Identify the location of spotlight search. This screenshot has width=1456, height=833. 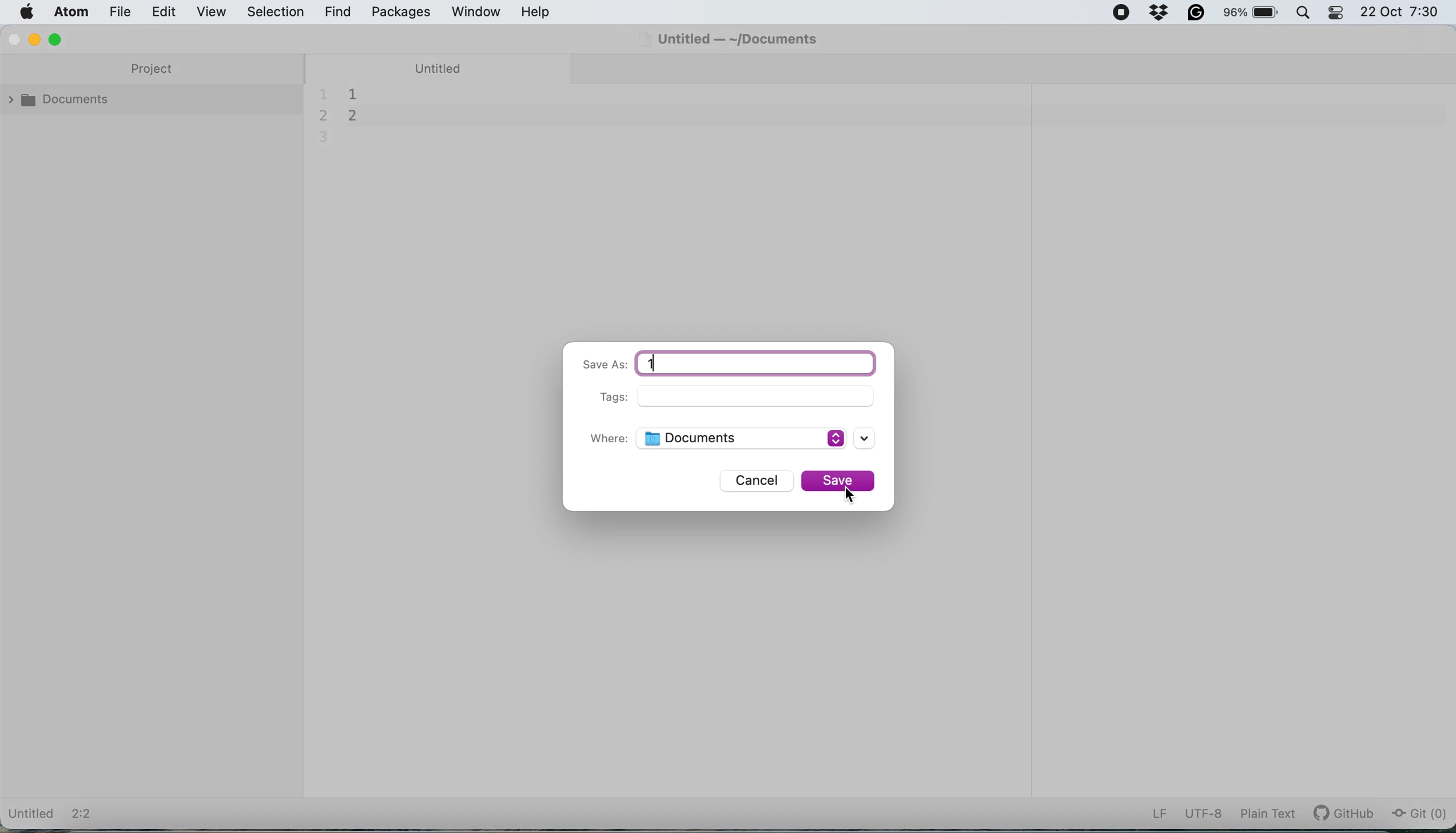
(1303, 15).